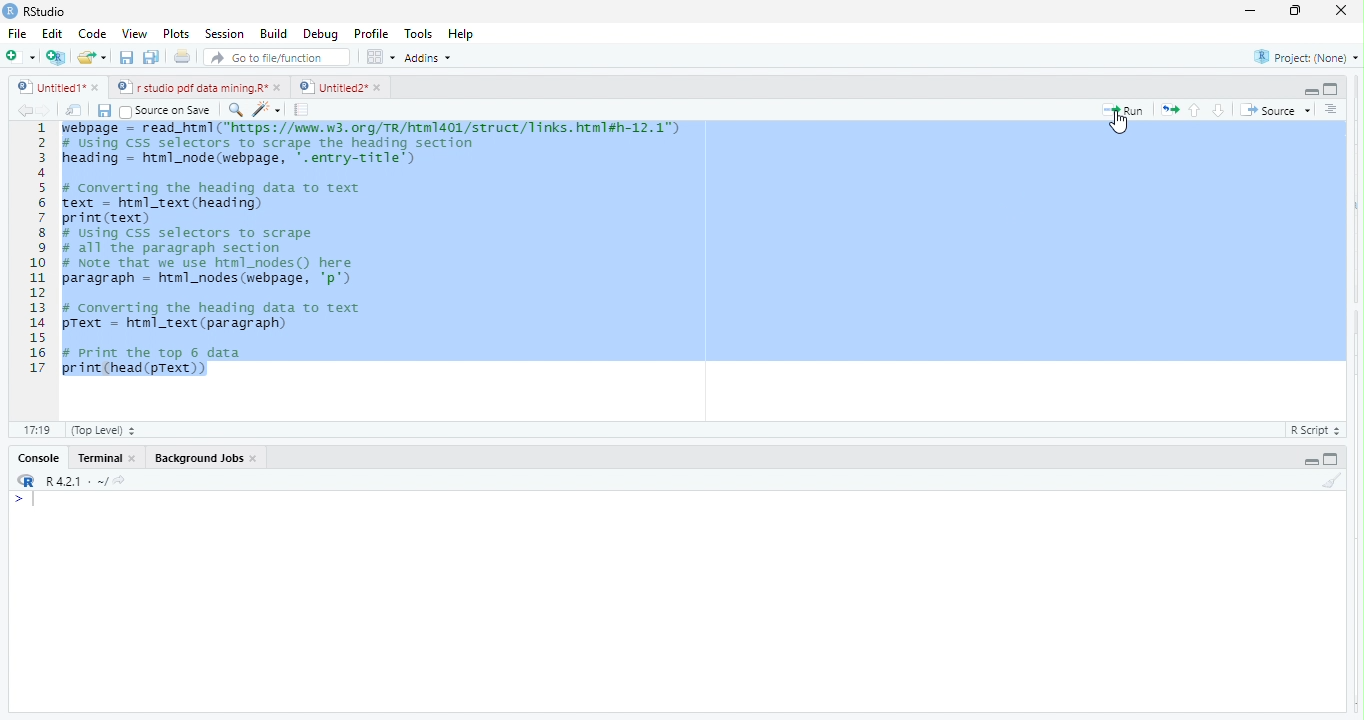 This screenshot has width=1364, height=720. I want to click on Debug, so click(321, 35).